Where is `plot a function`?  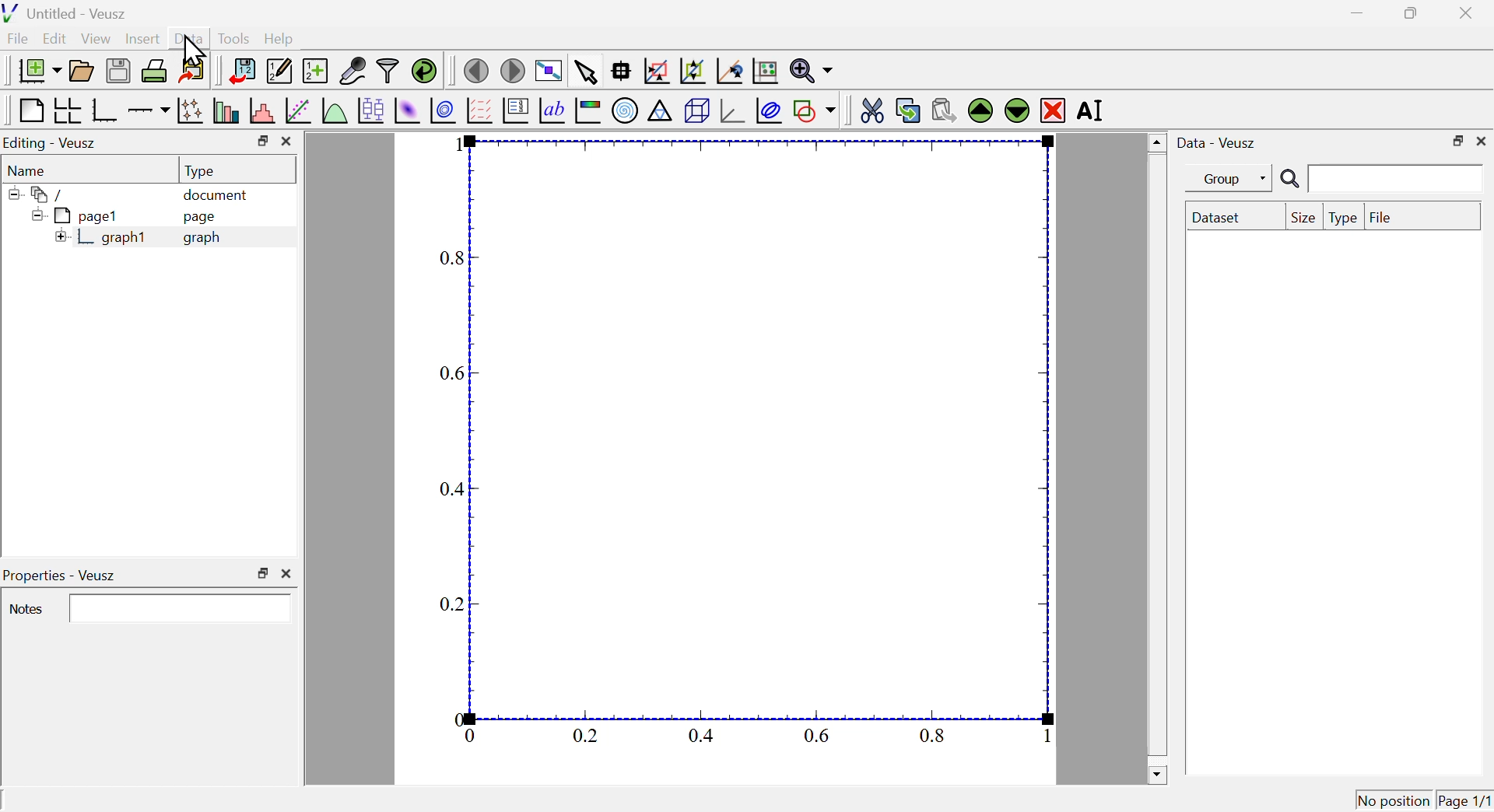
plot a function is located at coordinates (334, 110).